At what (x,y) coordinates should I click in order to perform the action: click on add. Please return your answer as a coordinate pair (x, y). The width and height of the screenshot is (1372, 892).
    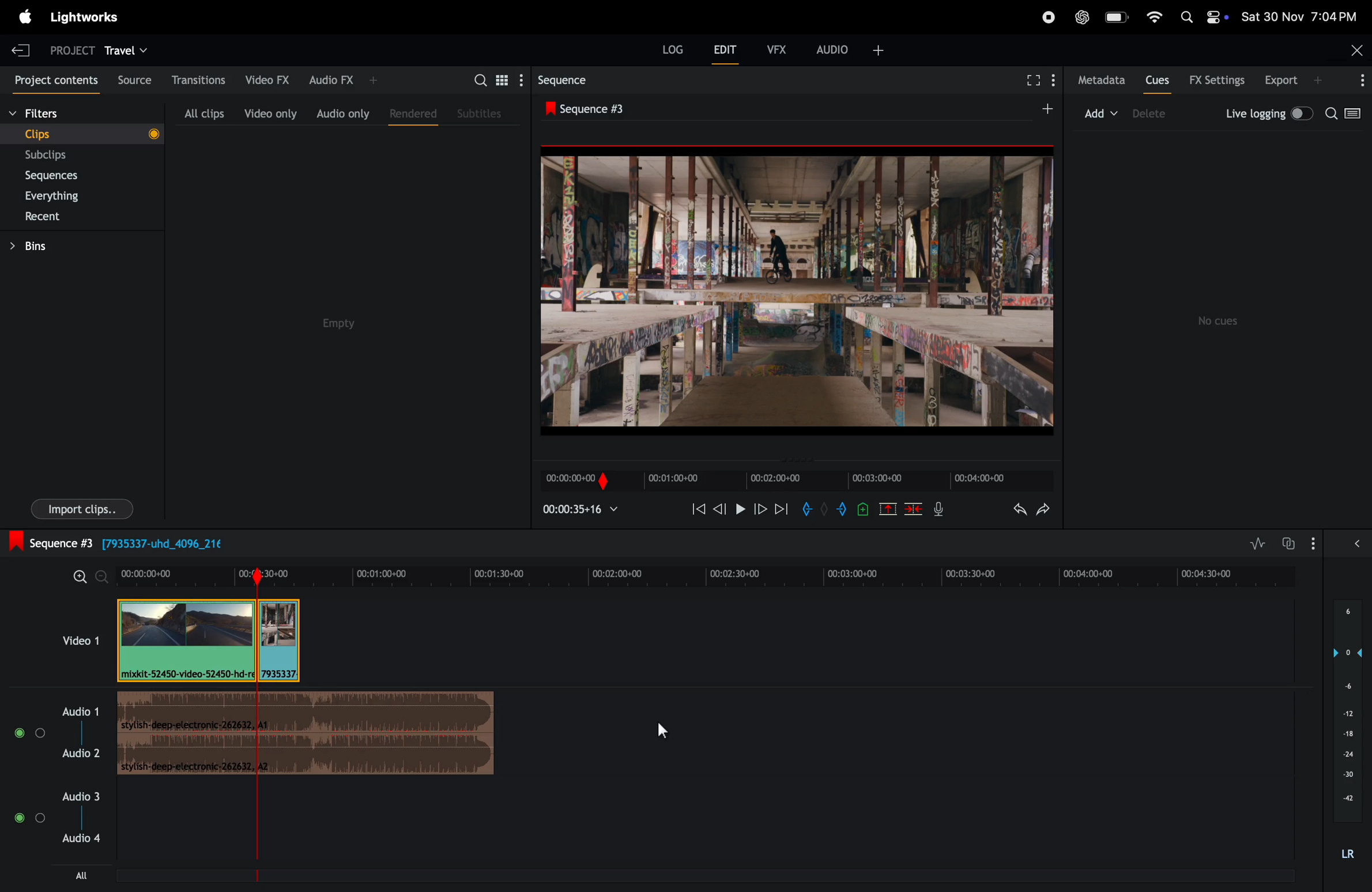
    Looking at the image, I should click on (1102, 112).